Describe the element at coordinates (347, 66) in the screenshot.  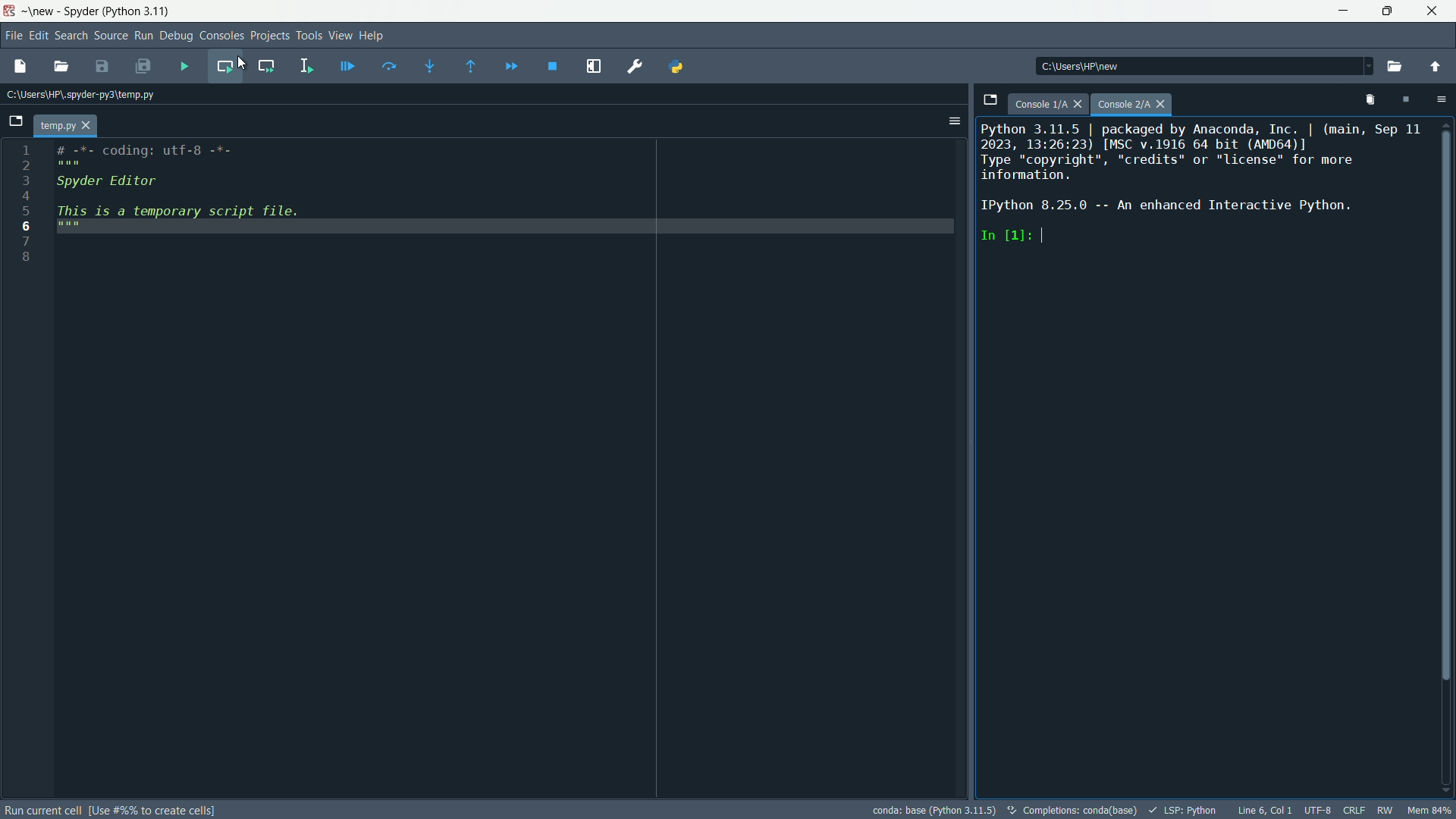
I see `debug file` at that location.